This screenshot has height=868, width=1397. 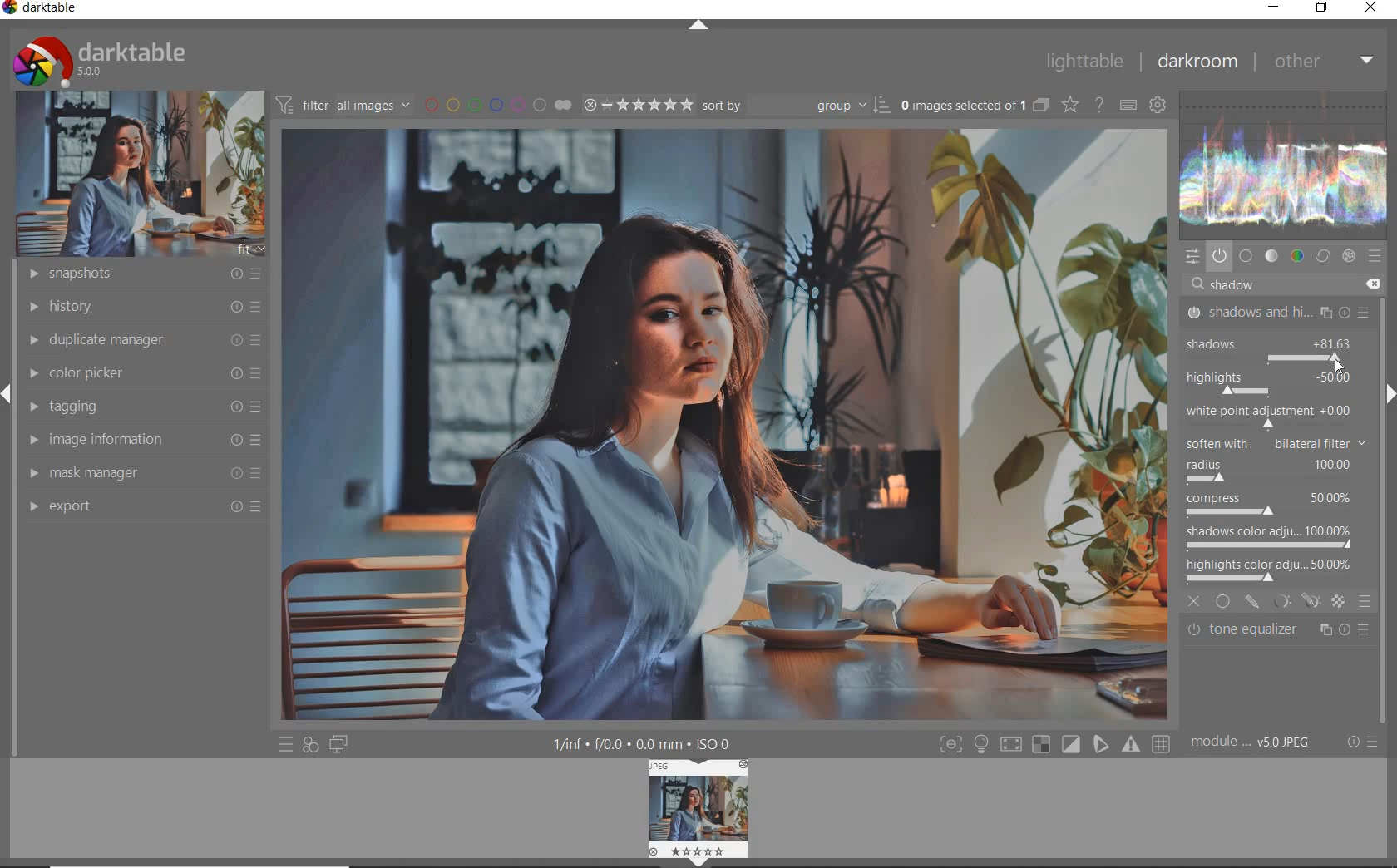 I want to click on scrollbar, so click(x=1387, y=332).